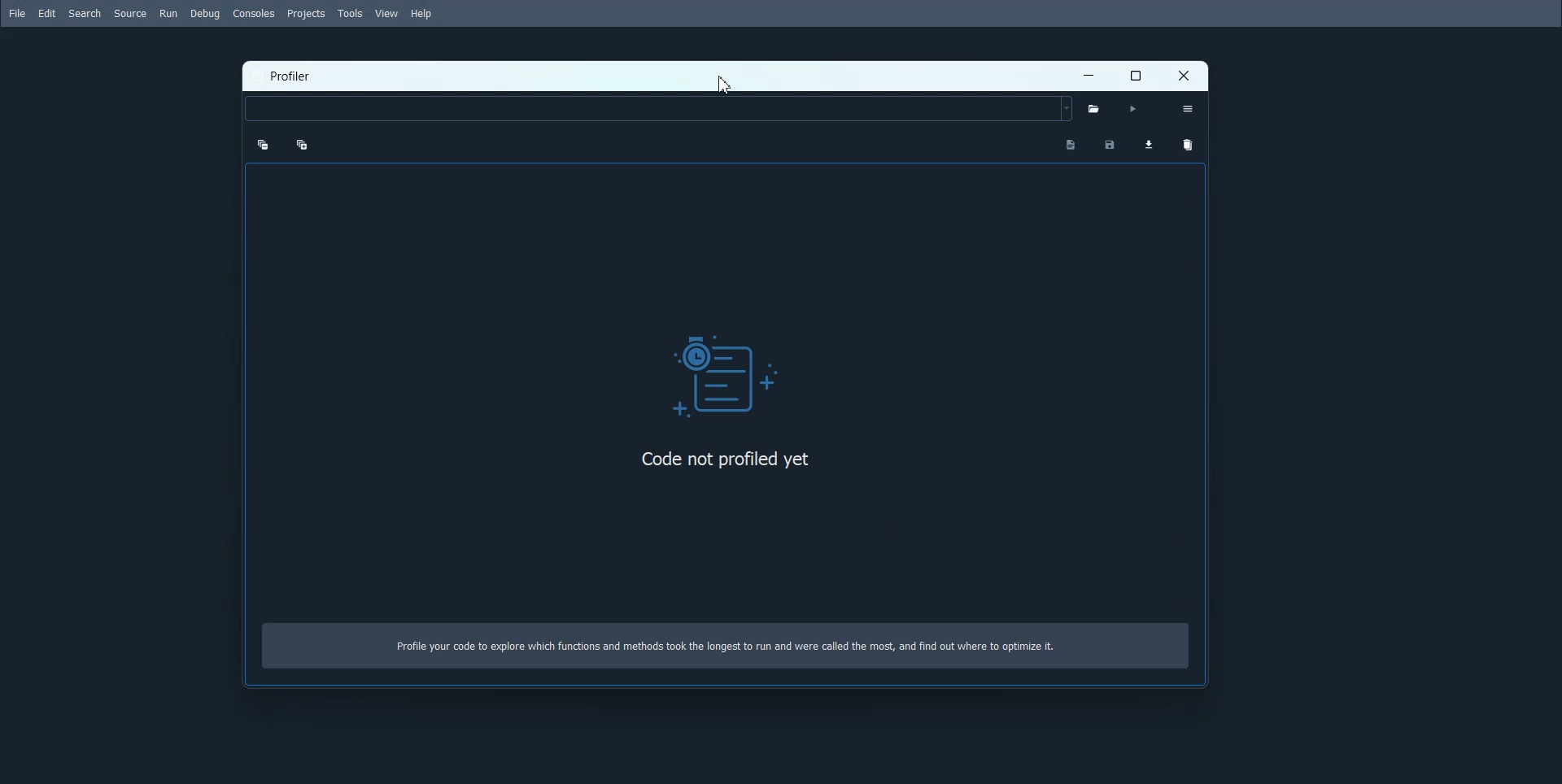 Image resolution: width=1562 pixels, height=784 pixels. Describe the element at coordinates (351, 13) in the screenshot. I see `Tools` at that location.